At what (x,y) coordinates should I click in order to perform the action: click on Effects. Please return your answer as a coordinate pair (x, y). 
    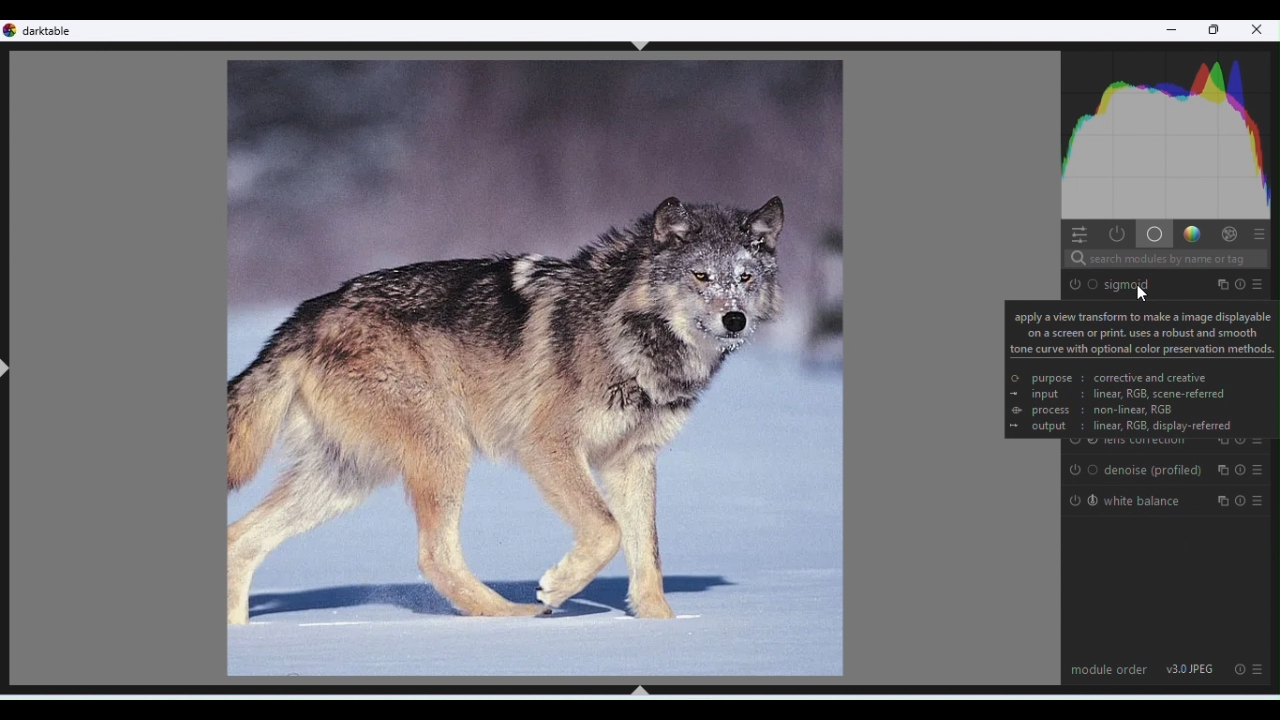
    Looking at the image, I should click on (1229, 233).